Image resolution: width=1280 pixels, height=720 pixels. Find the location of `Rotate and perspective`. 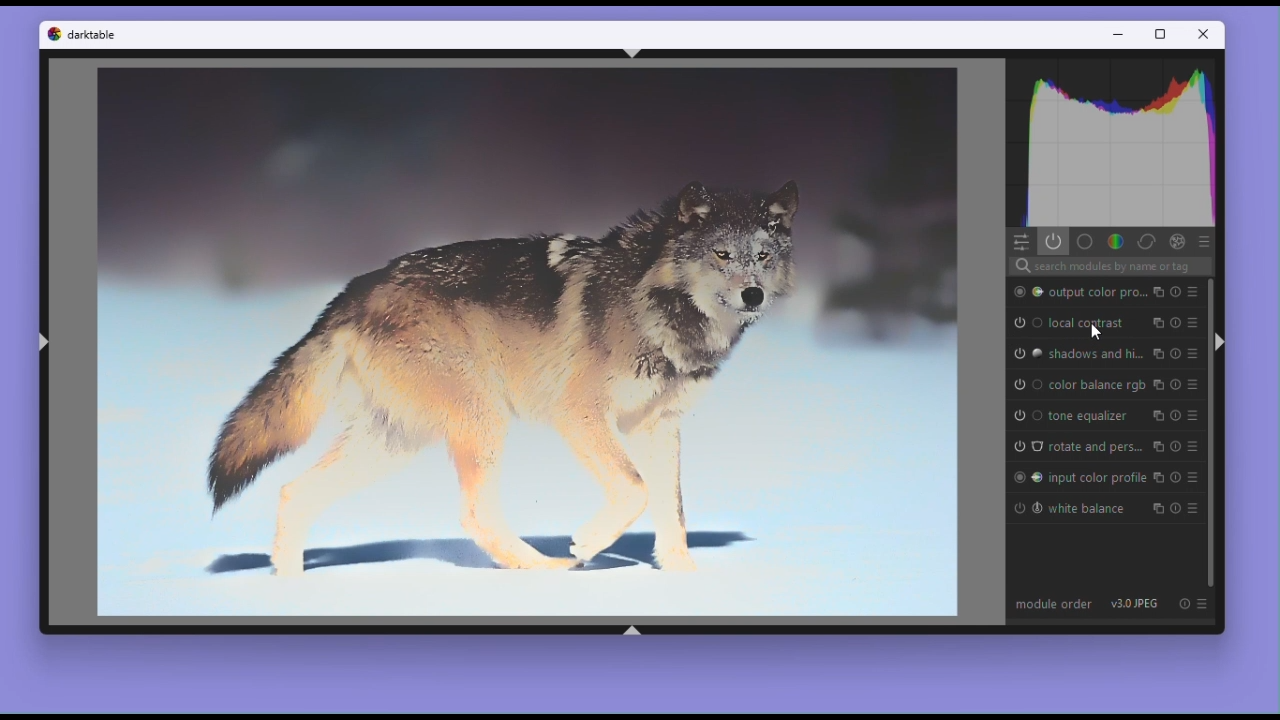

Rotate and perspective is located at coordinates (1093, 445).